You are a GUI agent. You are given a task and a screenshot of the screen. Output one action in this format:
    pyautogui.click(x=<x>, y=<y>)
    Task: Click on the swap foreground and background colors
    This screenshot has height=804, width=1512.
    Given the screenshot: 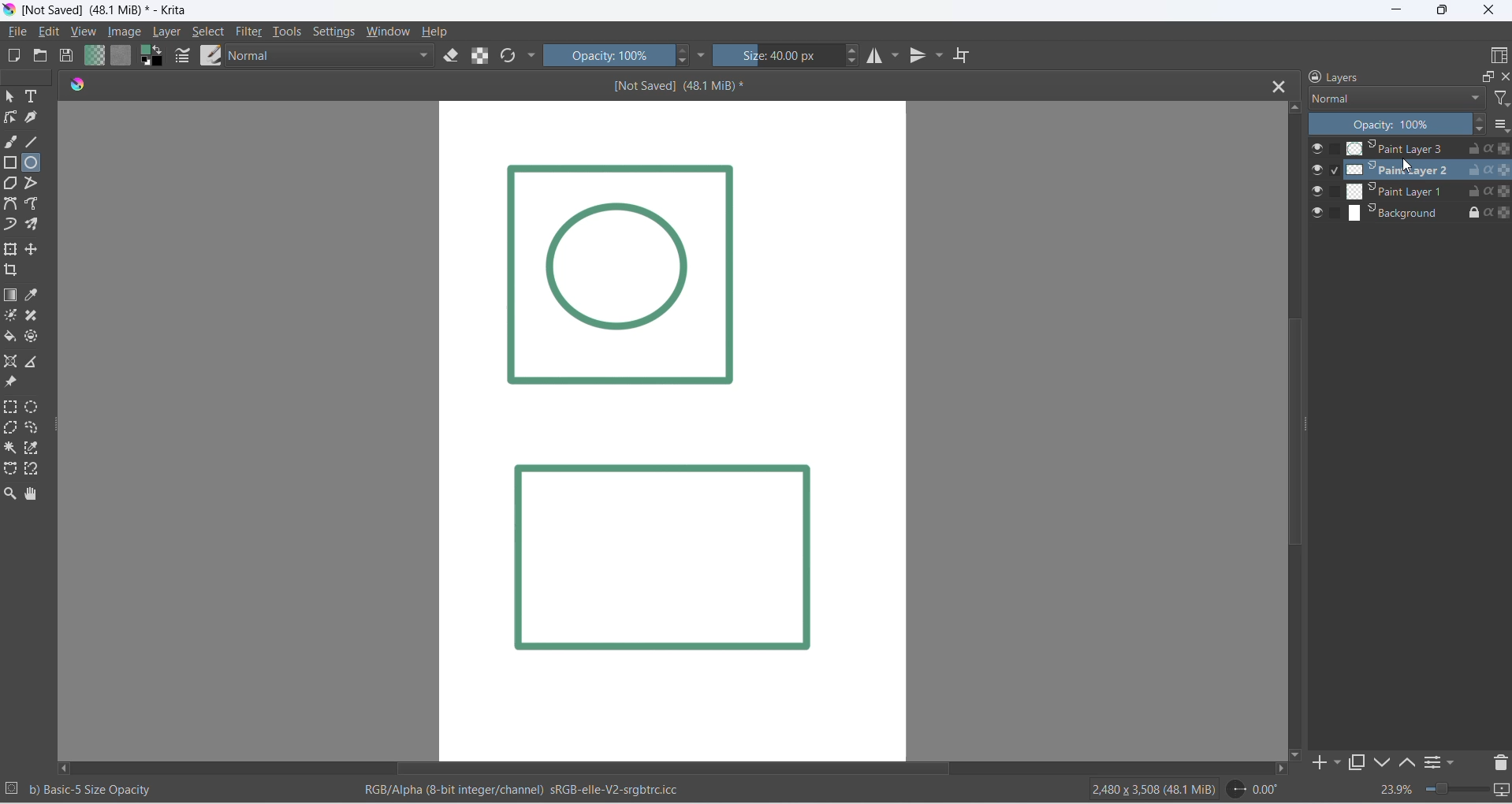 What is the action you would take?
    pyautogui.click(x=153, y=56)
    